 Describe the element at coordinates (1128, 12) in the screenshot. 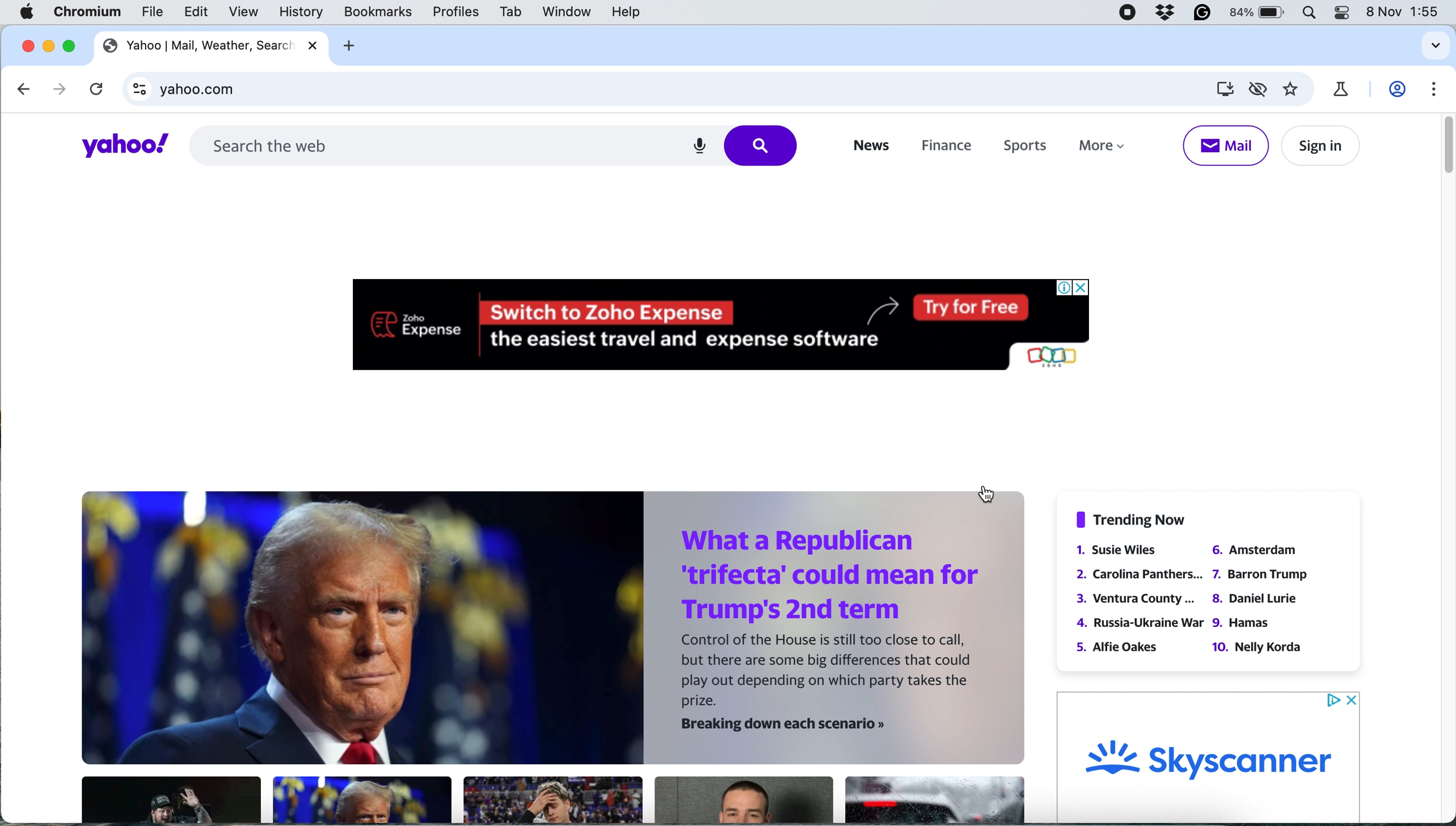

I see `screen recorder` at that location.